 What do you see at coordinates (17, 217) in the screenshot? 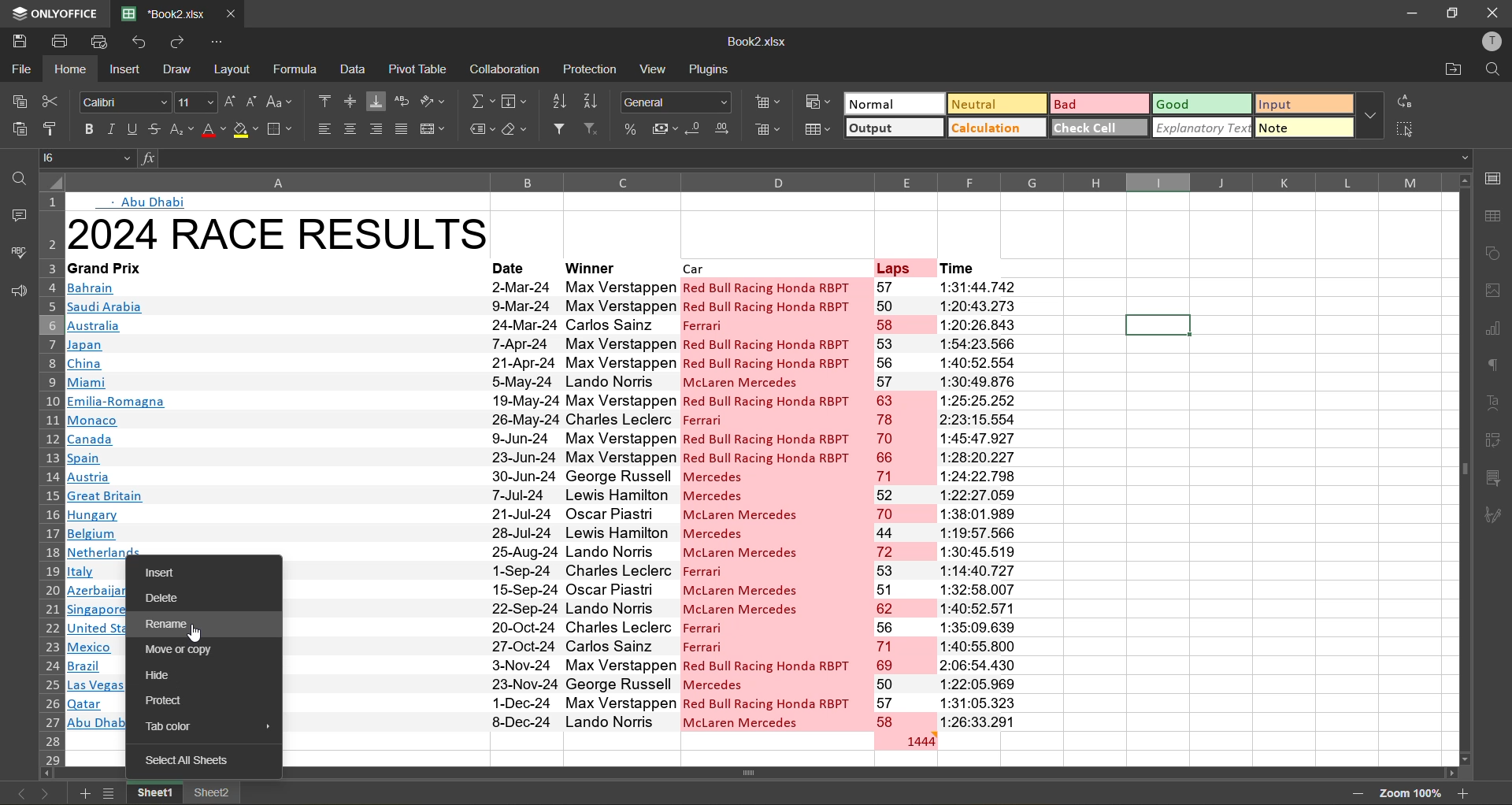
I see `comments` at bounding box center [17, 217].